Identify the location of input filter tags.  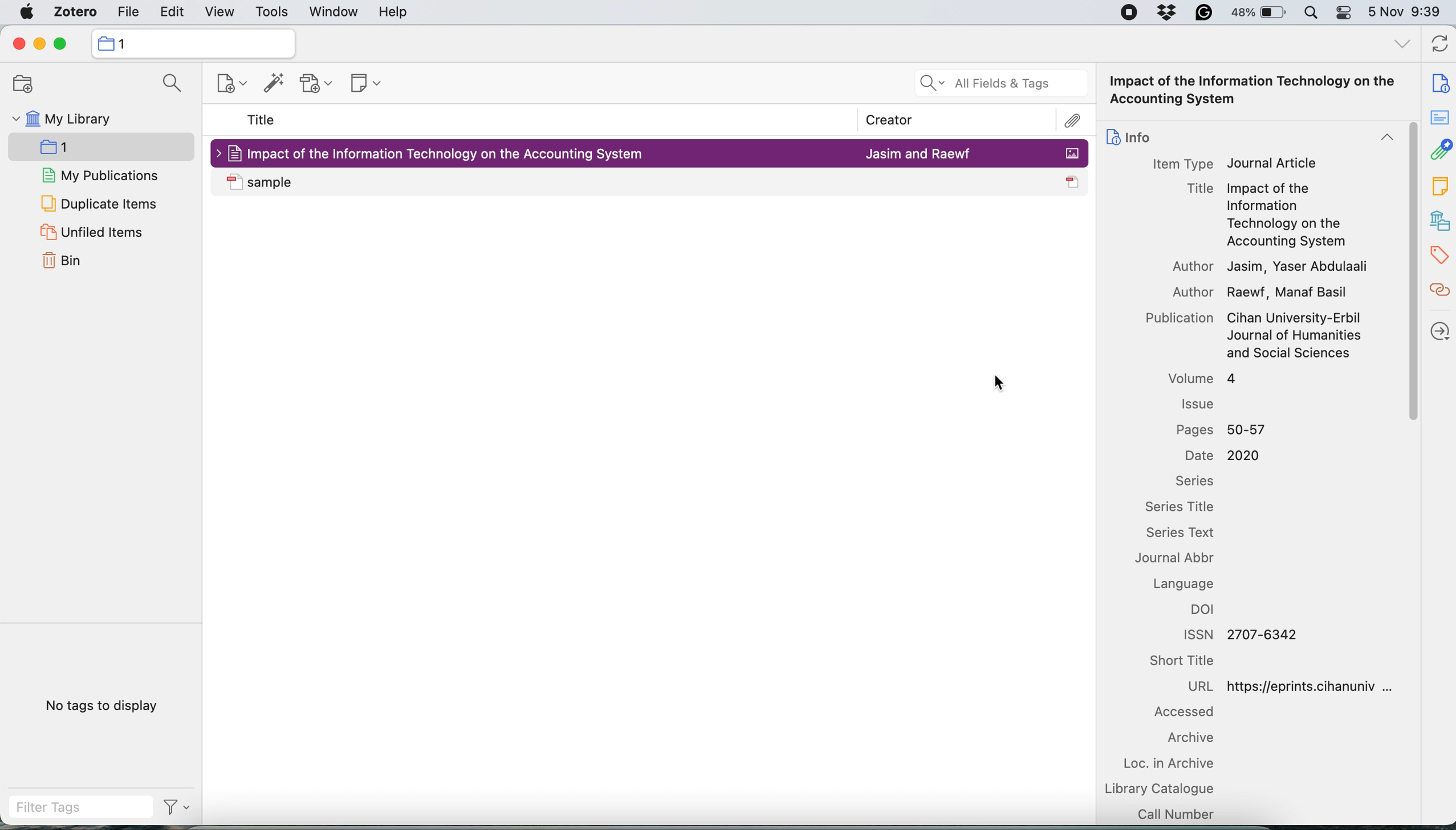
(83, 808).